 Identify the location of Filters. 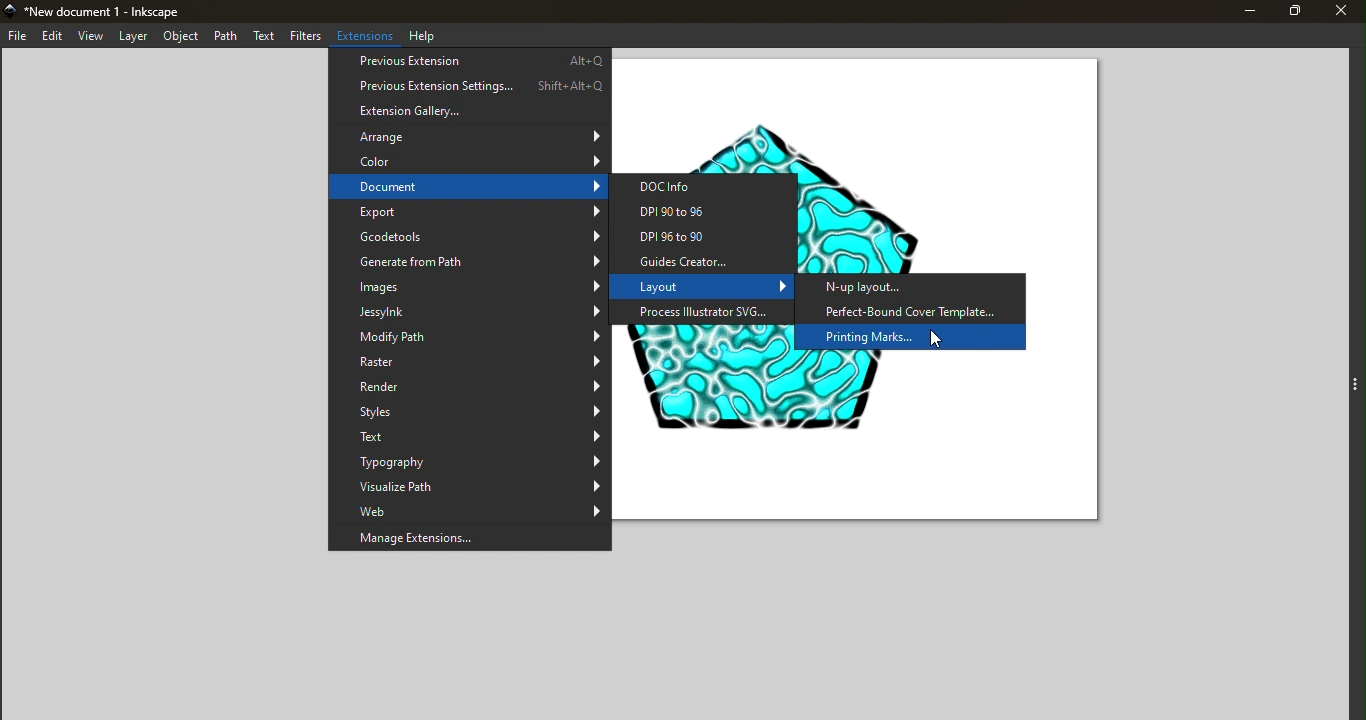
(306, 37).